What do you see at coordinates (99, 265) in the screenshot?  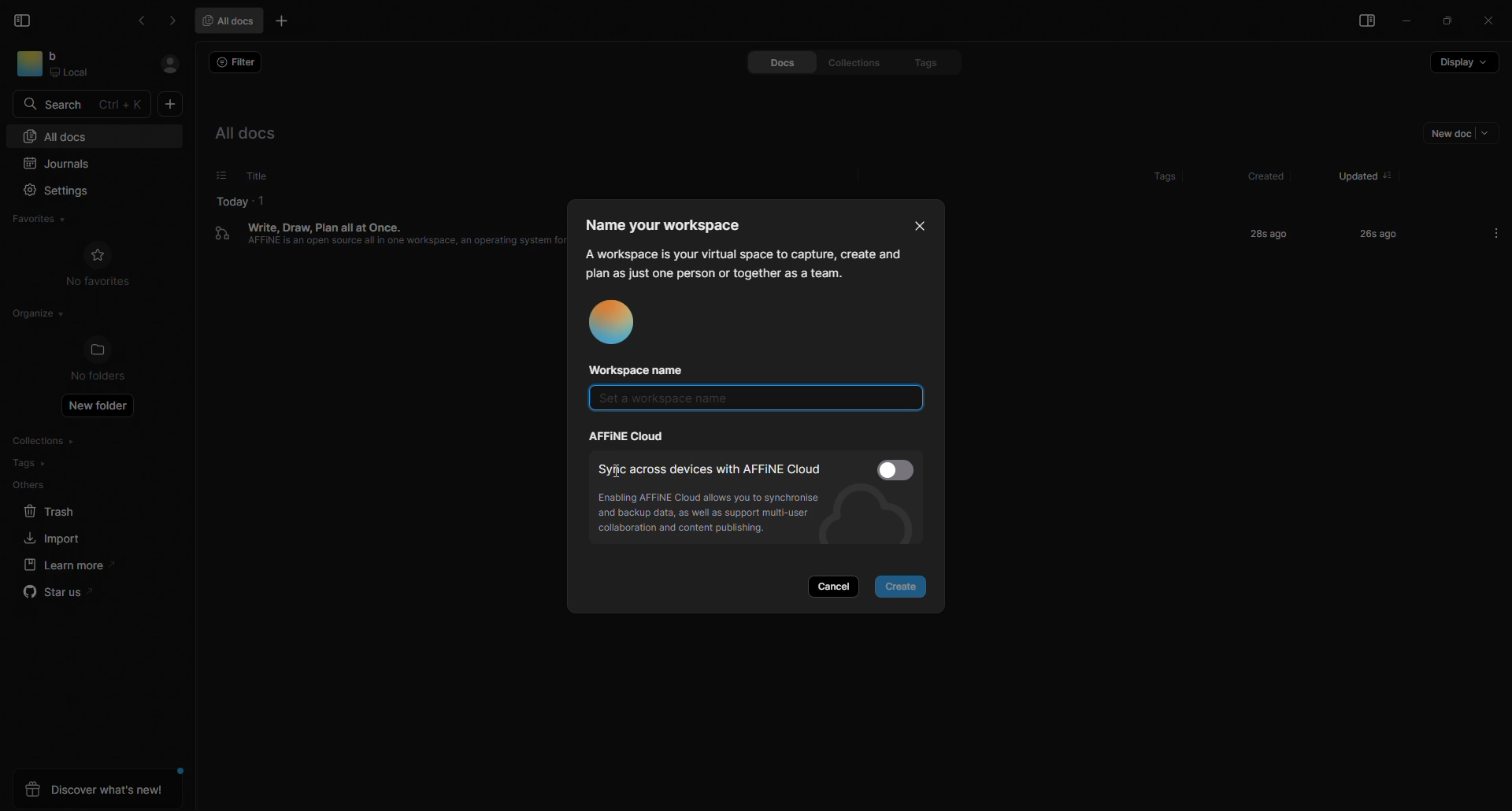 I see `no favorites` at bounding box center [99, 265].